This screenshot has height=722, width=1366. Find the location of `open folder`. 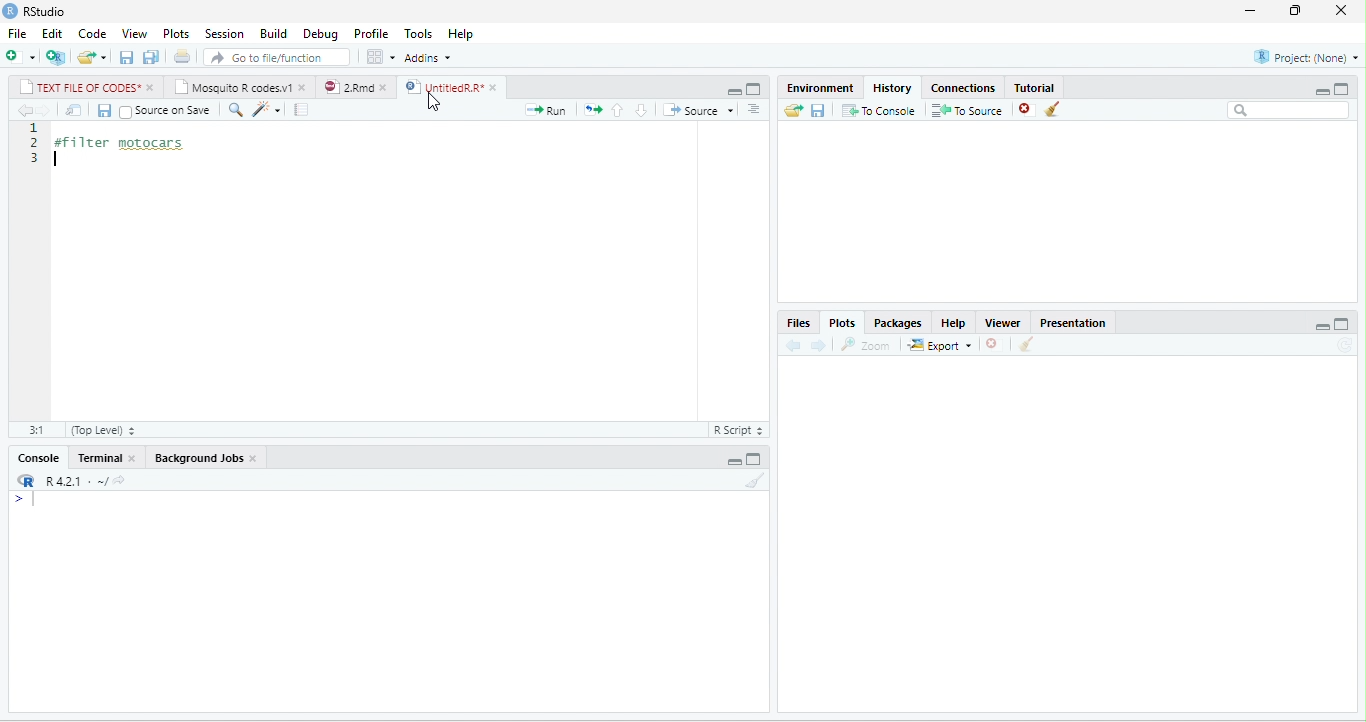

open folder is located at coordinates (793, 110).